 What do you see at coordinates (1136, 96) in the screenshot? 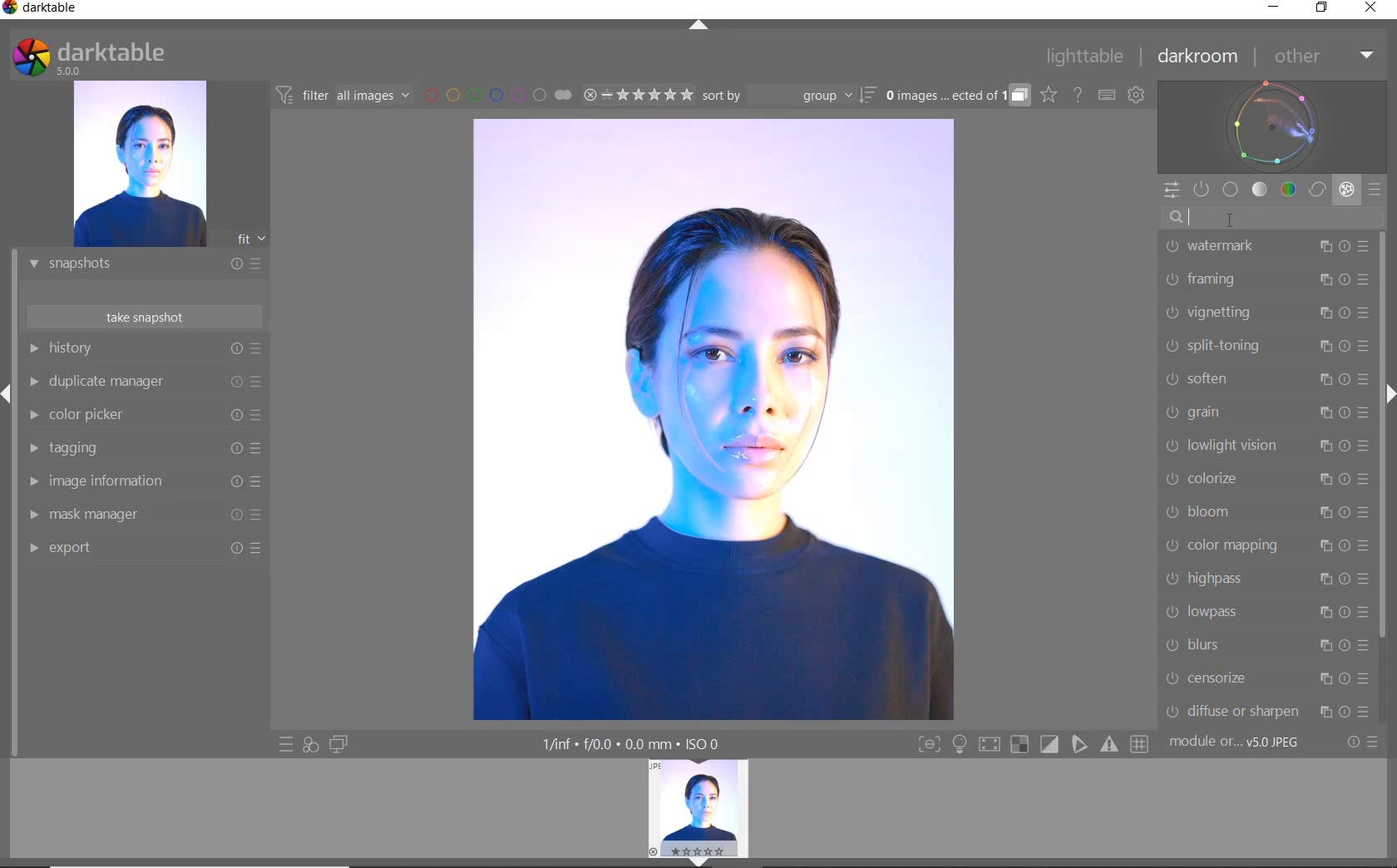
I see `SHOW GLOBAL PREFERENCES` at bounding box center [1136, 96].